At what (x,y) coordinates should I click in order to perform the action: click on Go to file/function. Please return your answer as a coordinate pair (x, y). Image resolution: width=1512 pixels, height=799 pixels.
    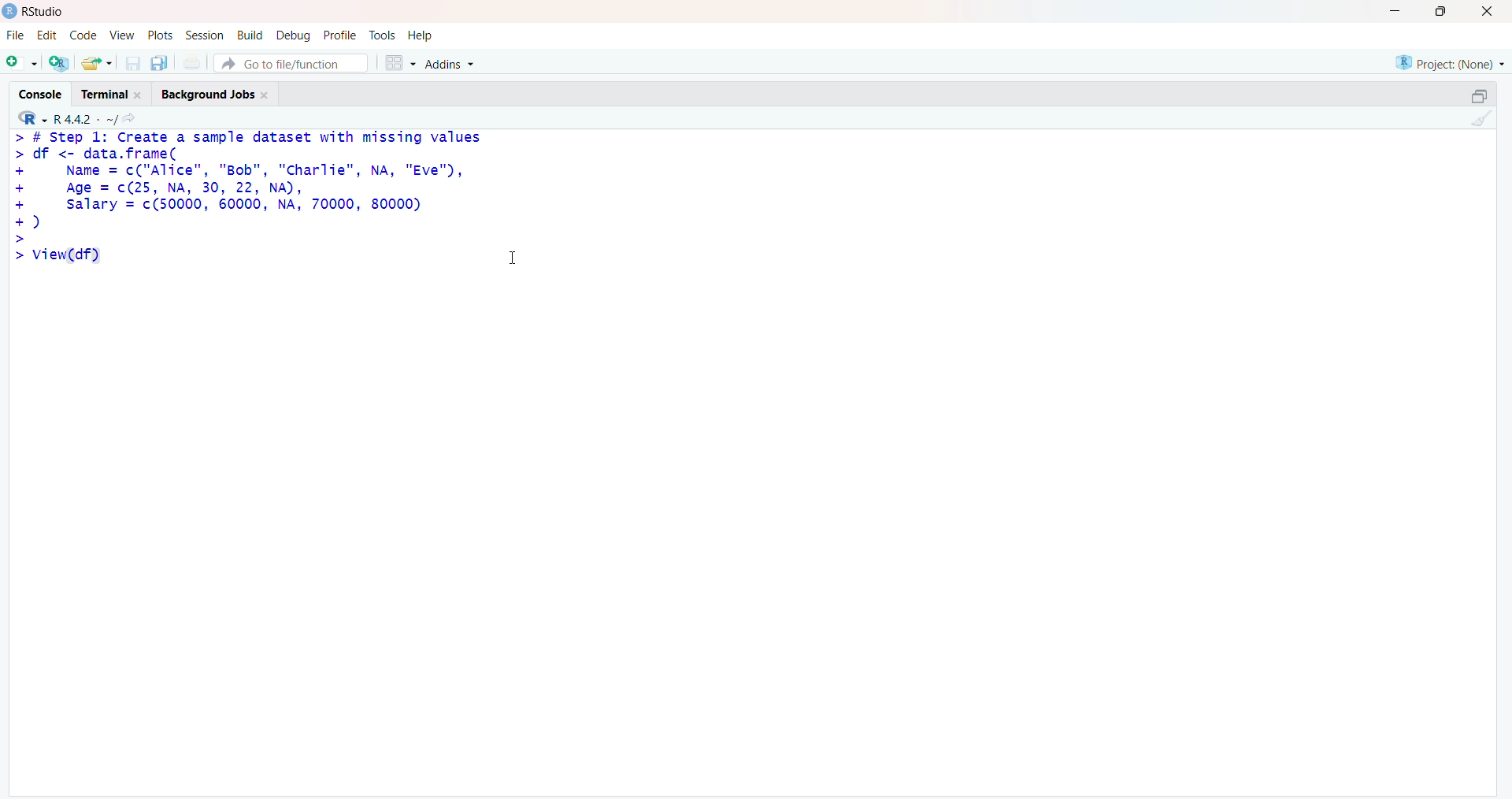
    Looking at the image, I should click on (291, 62).